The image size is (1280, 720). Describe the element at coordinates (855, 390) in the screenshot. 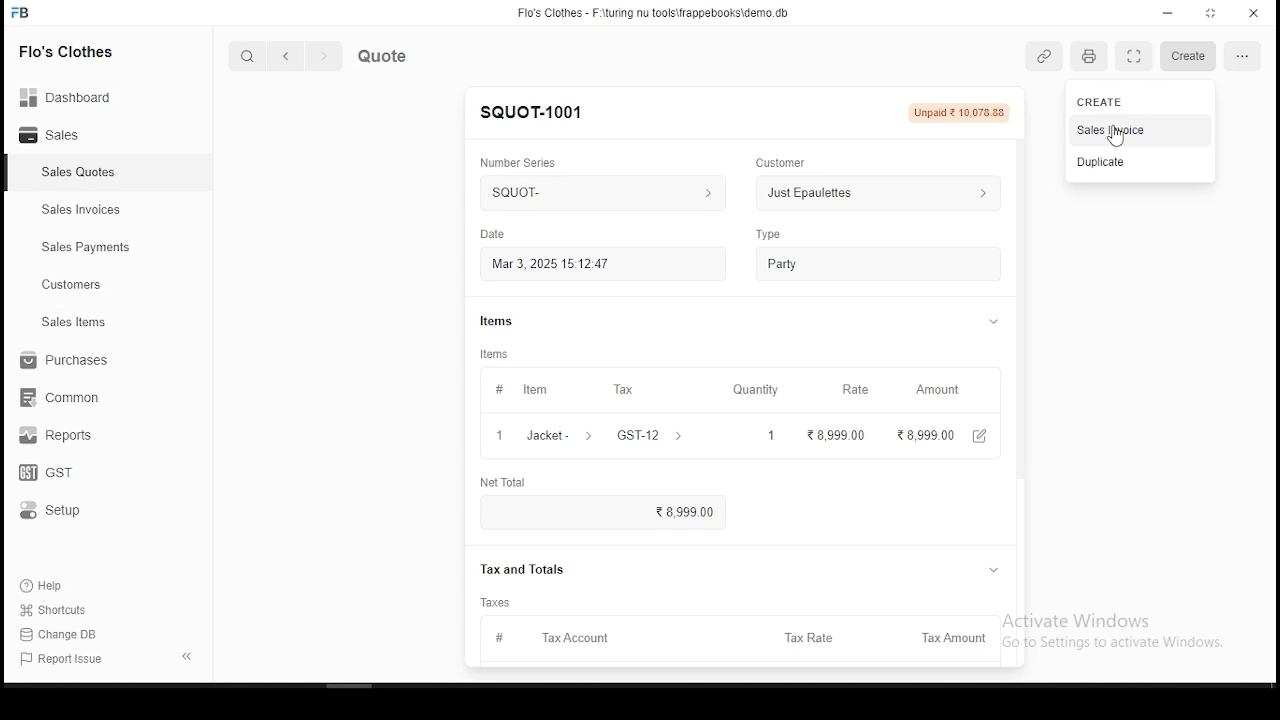

I see `rate` at that location.